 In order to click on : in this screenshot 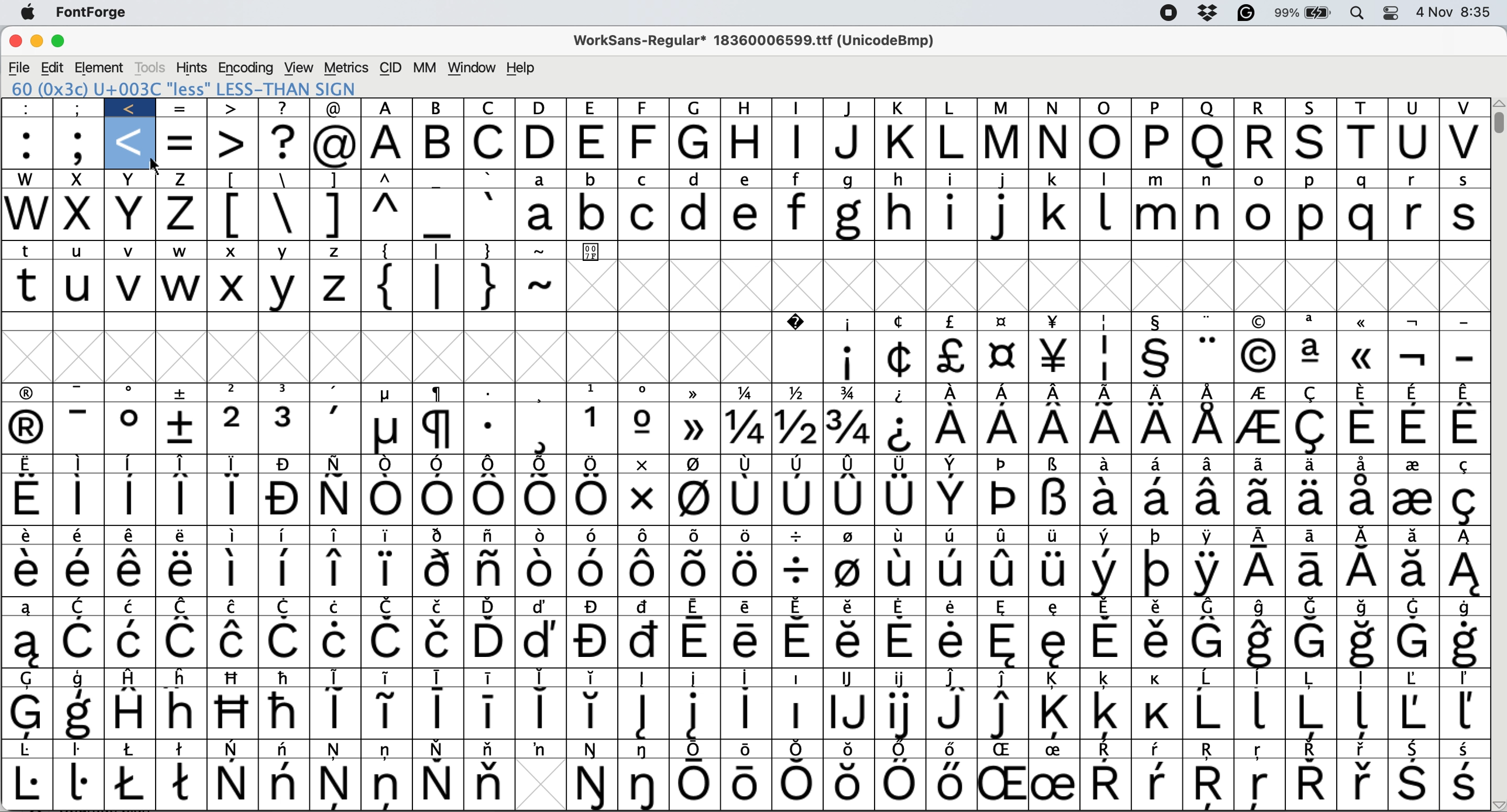, I will do `click(30, 108)`.